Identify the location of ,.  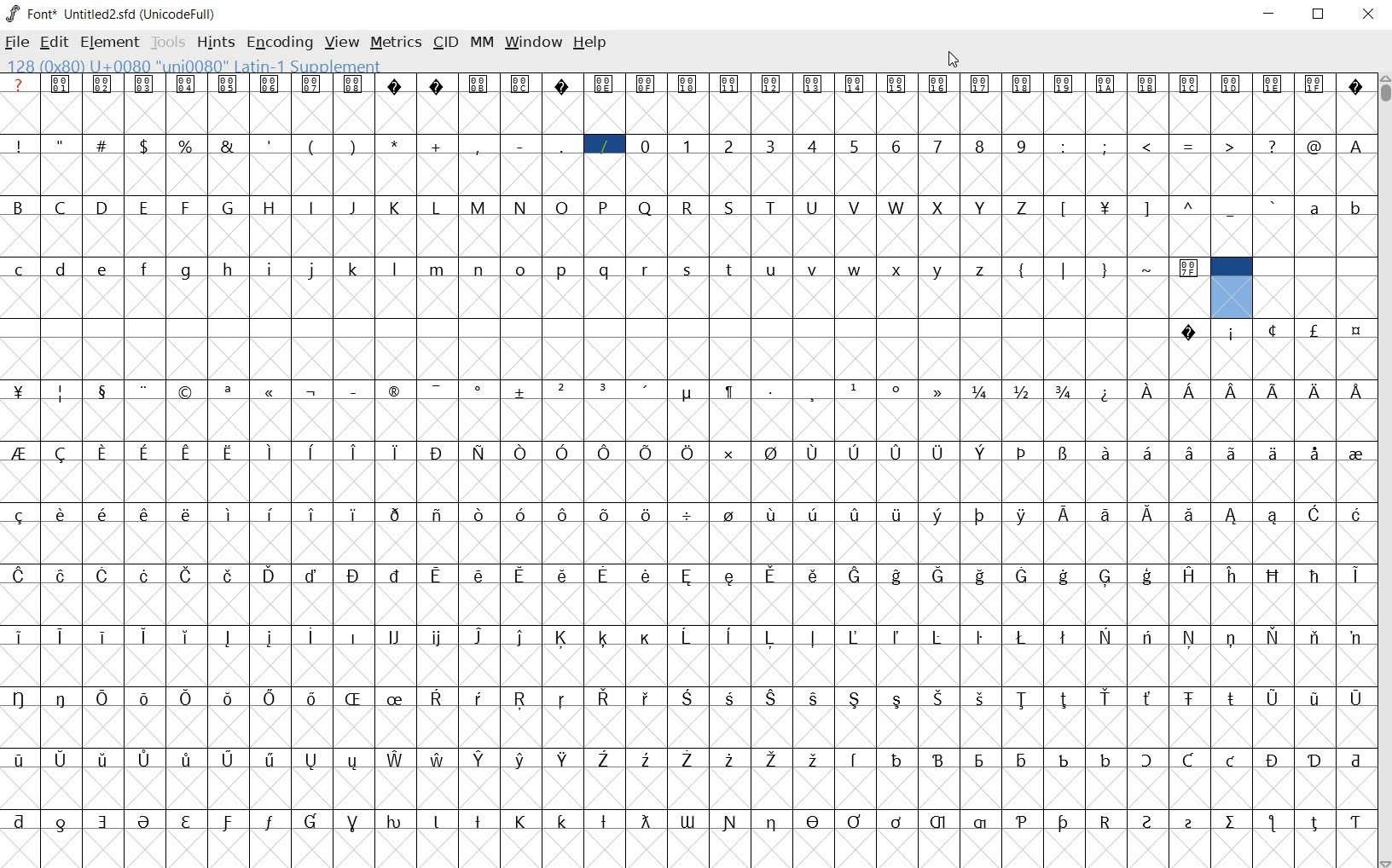
(478, 148).